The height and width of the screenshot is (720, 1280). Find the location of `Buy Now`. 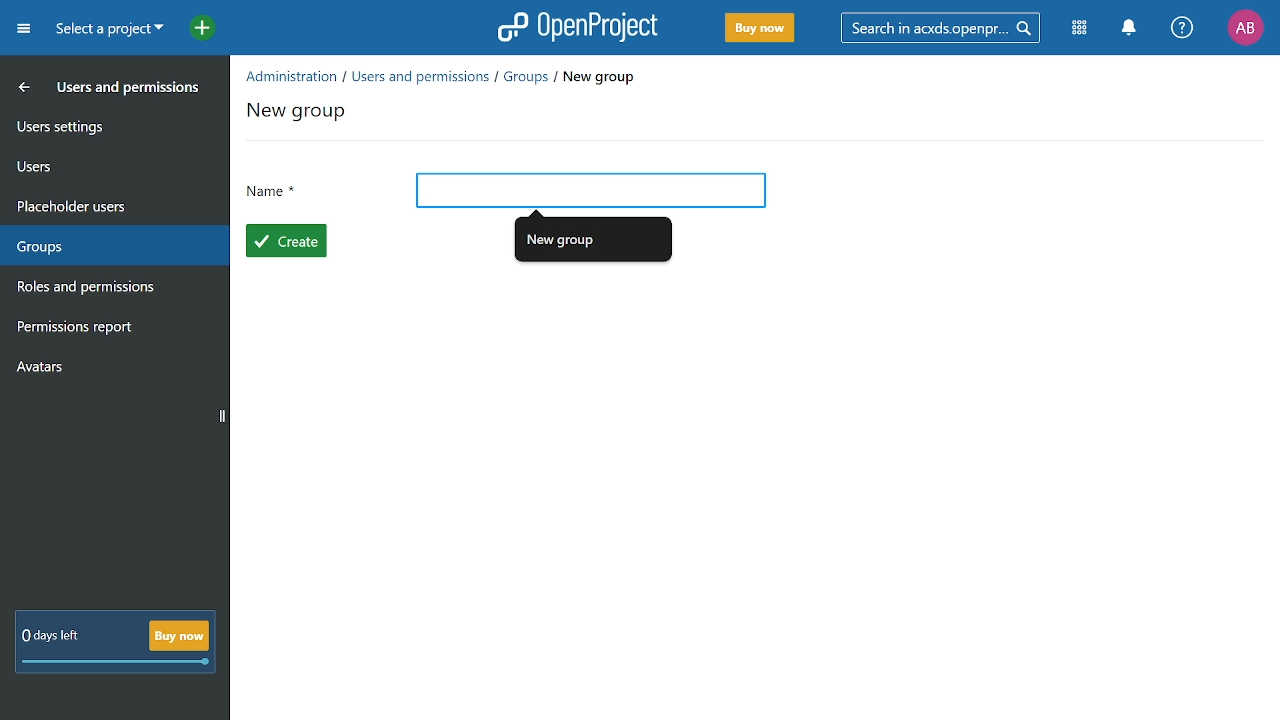

Buy Now is located at coordinates (760, 29).